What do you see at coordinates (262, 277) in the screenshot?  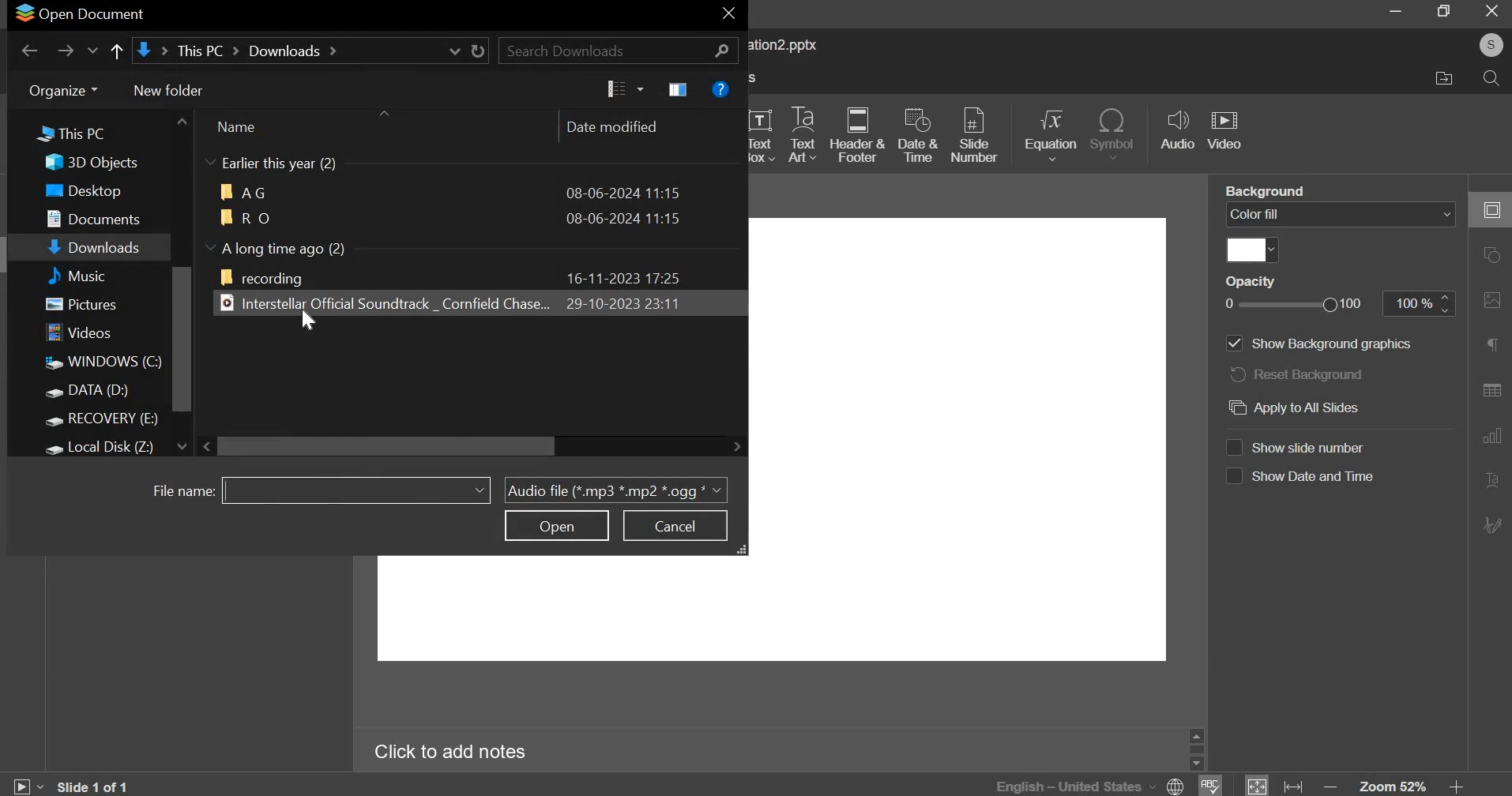 I see `recording` at bounding box center [262, 277].